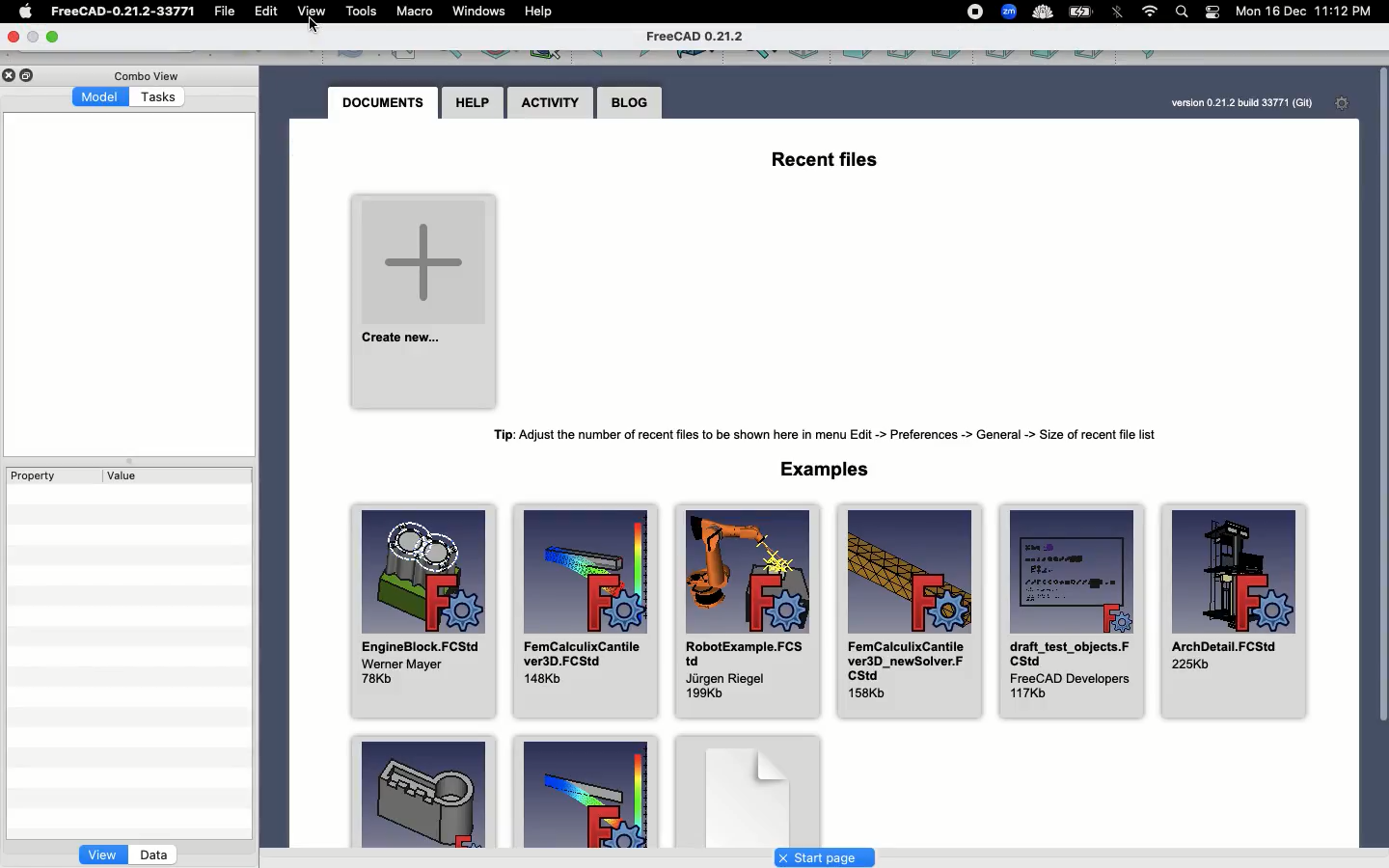  What do you see at coordinates (422, 791) in the screenshot?
I see `Examples` at bounding box center [422, 791].